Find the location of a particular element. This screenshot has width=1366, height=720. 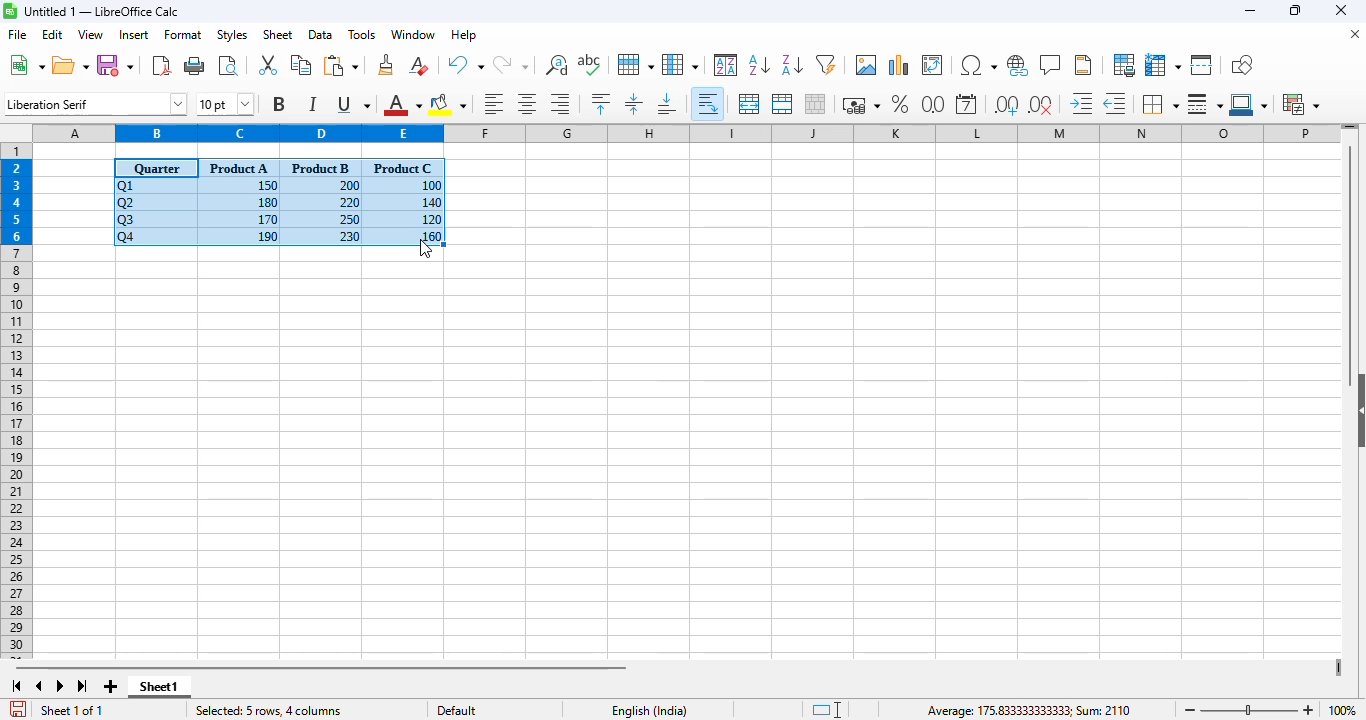

row is located at coordinates (636, 65).